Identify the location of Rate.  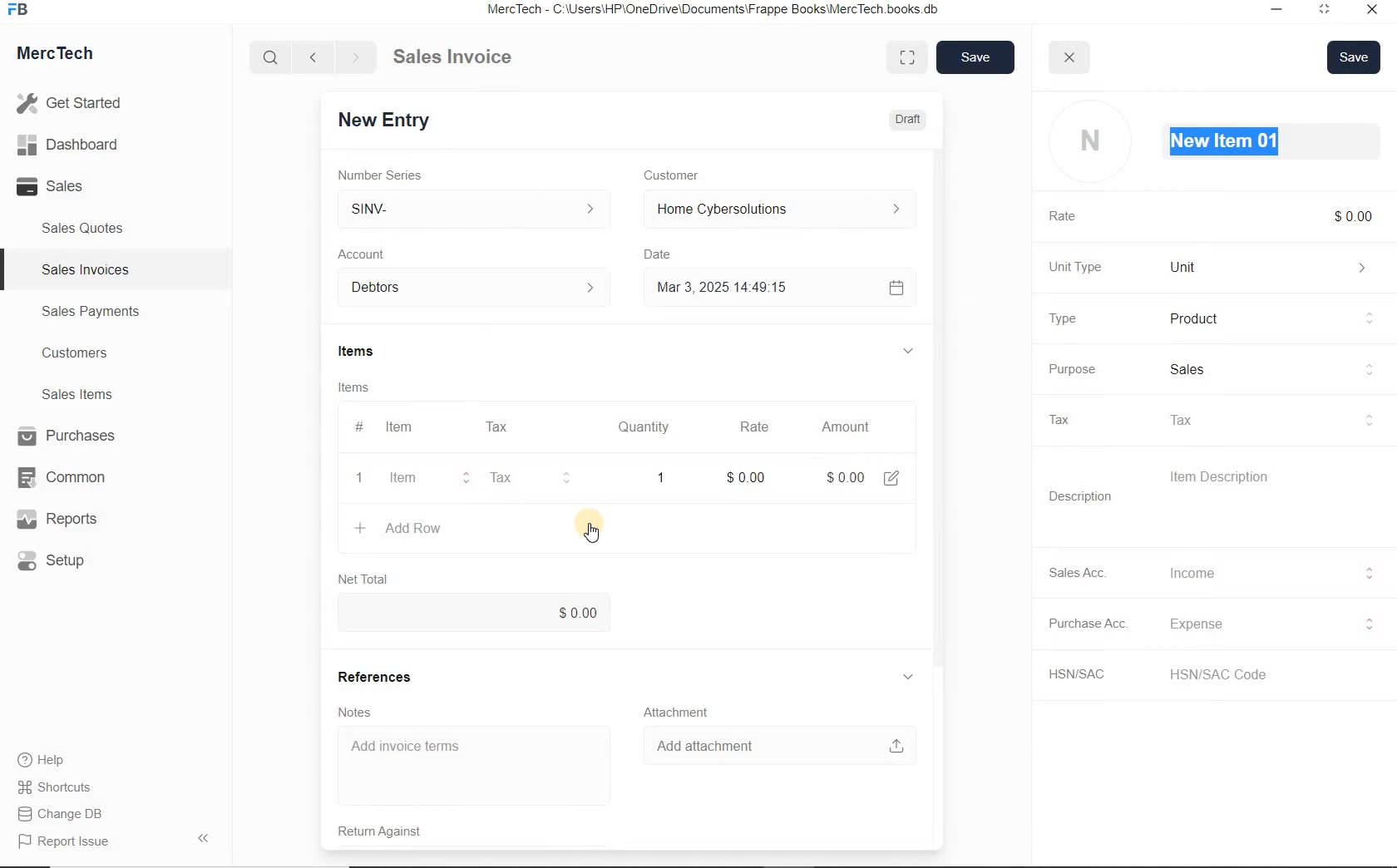
(753, 427).